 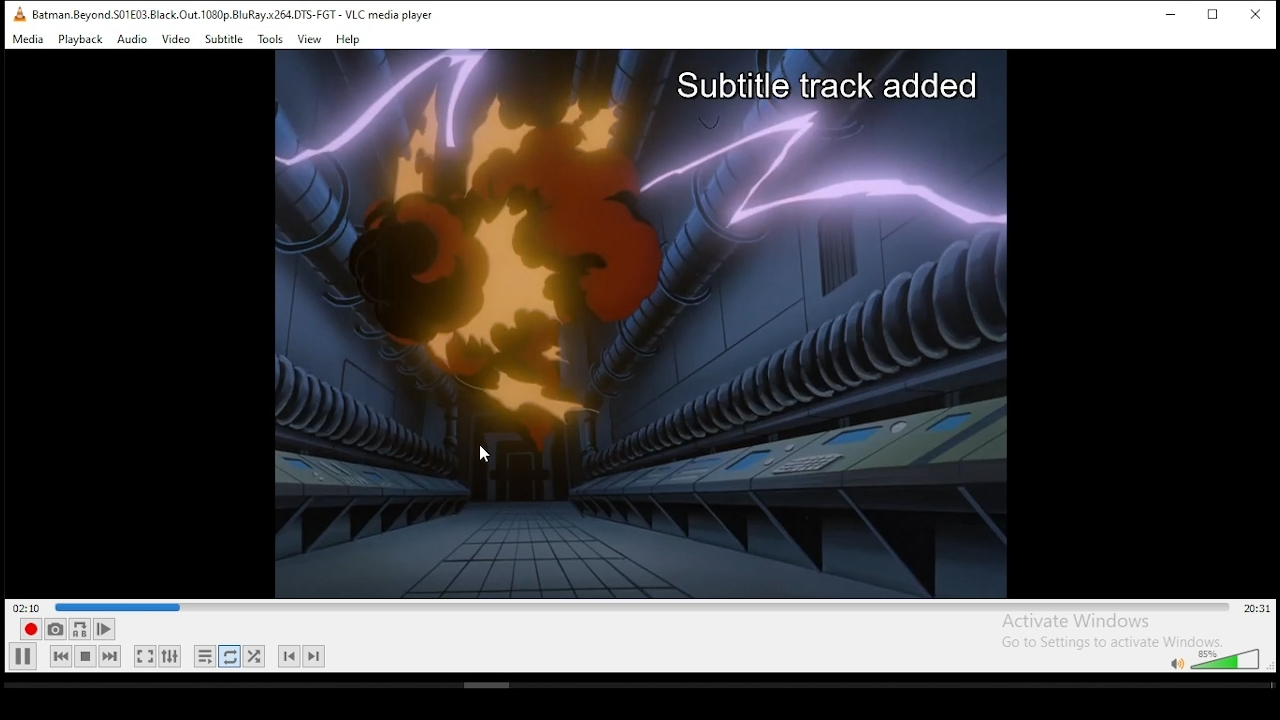 What do you see at coordinates (205, 656) in the screenshot?
I see `toggle playlist` at bounding box center [205, 656].